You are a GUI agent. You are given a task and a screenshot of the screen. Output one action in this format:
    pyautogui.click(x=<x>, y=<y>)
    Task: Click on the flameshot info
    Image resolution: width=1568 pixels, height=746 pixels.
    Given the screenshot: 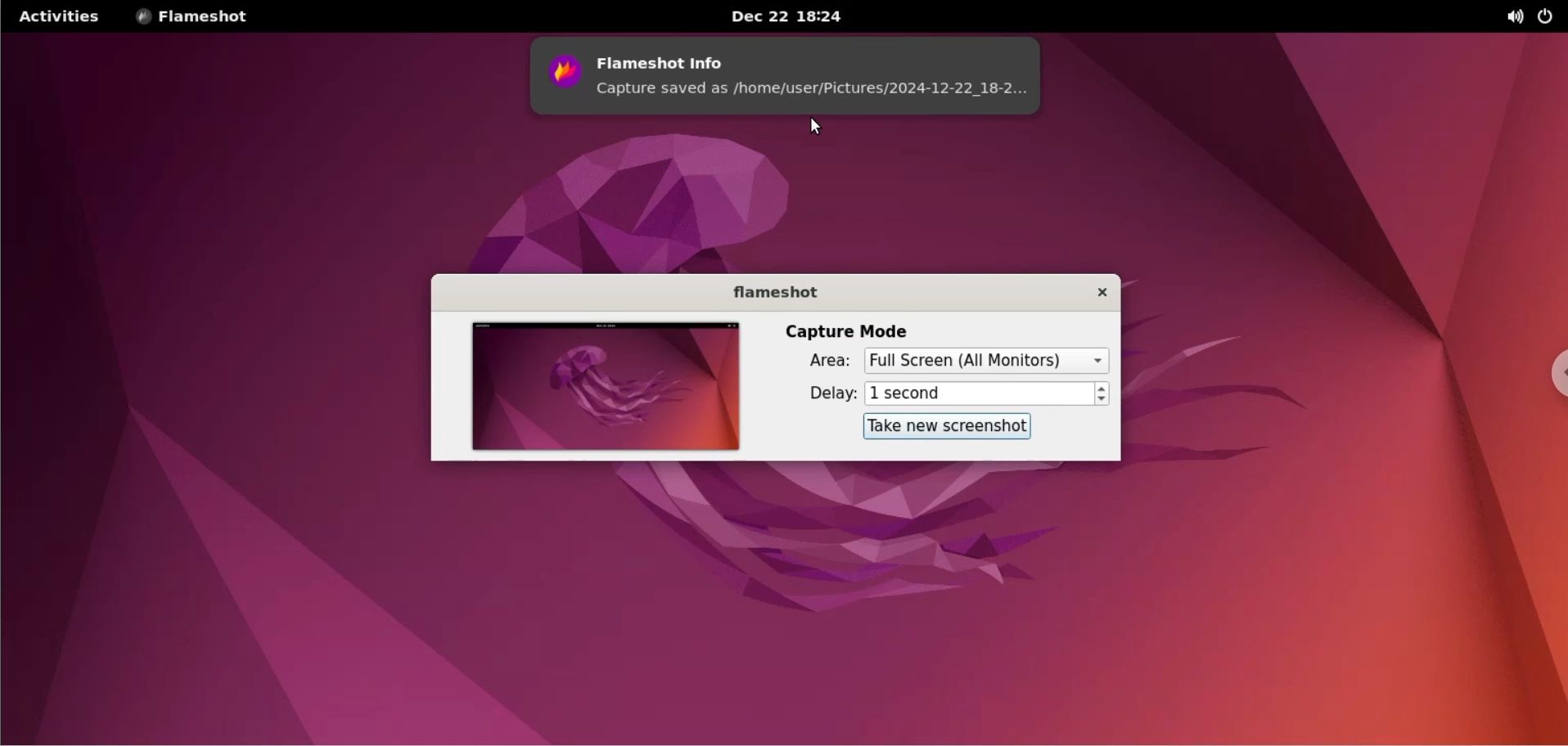 What is the action you would take?
    pyautogui.click(x=816, y=57)
    